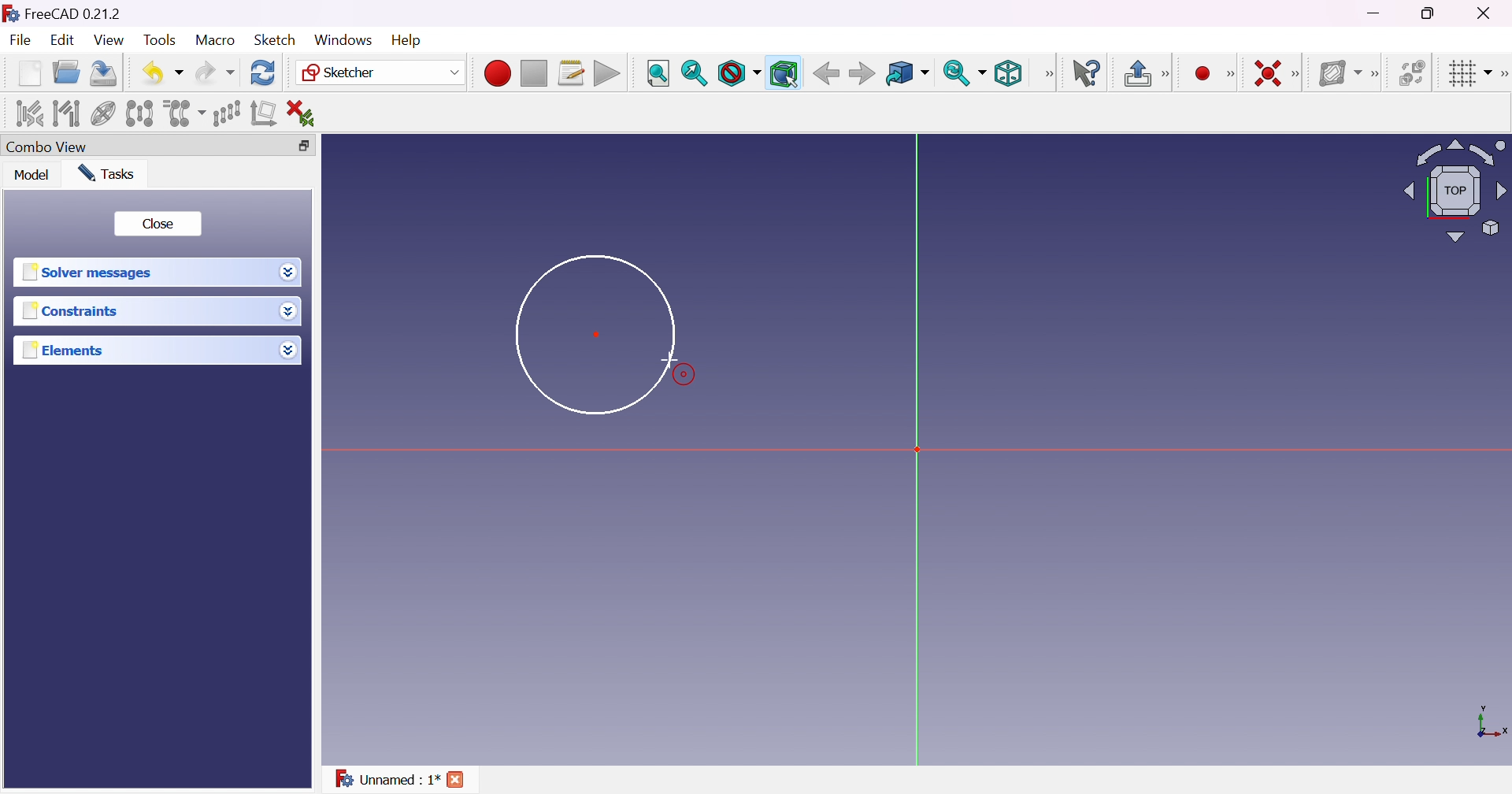  What do you see at coordinates (906, 74) in the screenshot?
I see `Go to linked object` at bounding box center [906, 74].